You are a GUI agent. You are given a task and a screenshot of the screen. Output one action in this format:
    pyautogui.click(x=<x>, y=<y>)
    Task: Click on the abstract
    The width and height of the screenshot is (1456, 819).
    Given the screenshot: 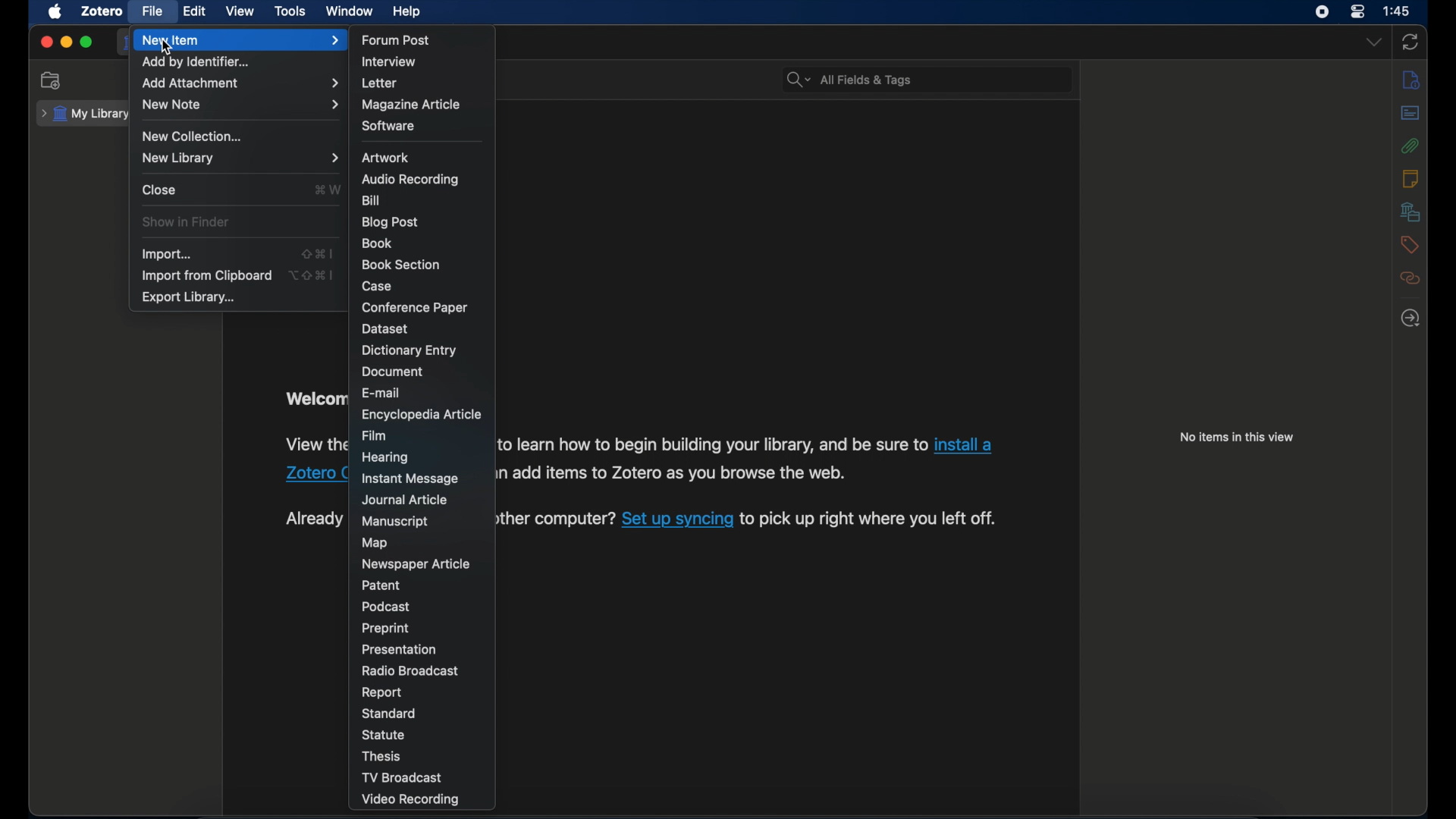 What is the action you would take?
    pyautogui.click(x=1410, y=113)
    